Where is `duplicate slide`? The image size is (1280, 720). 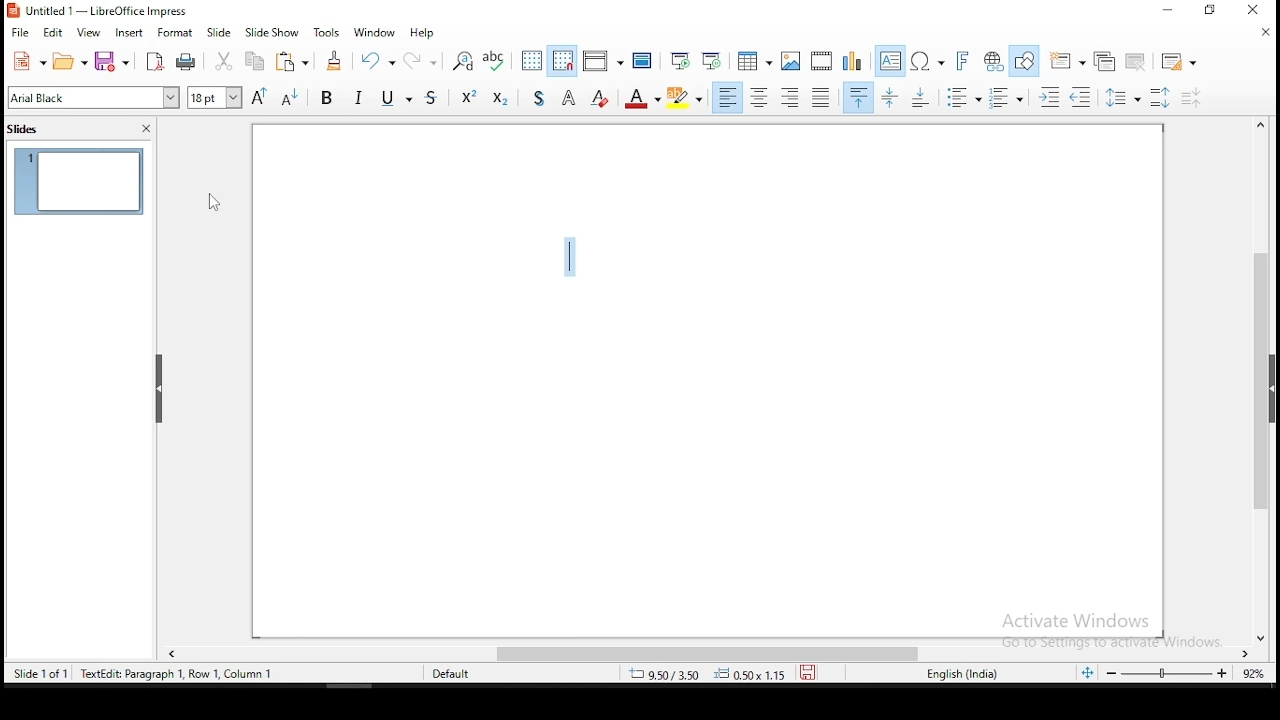 duplicate slide is located at coordinates (1108, 60).